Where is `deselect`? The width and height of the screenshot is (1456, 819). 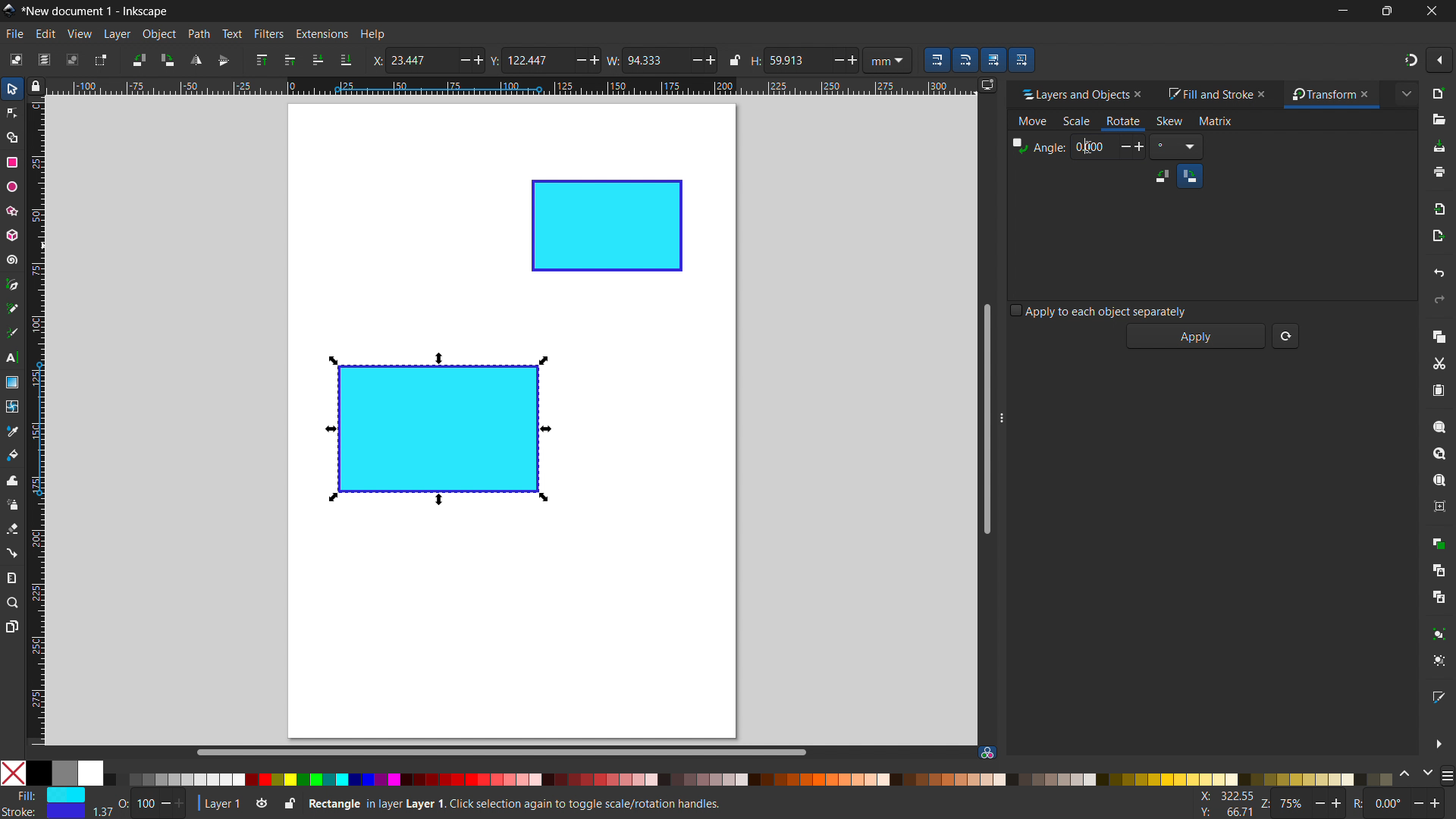 deselect is located at coordinates (73, 59).